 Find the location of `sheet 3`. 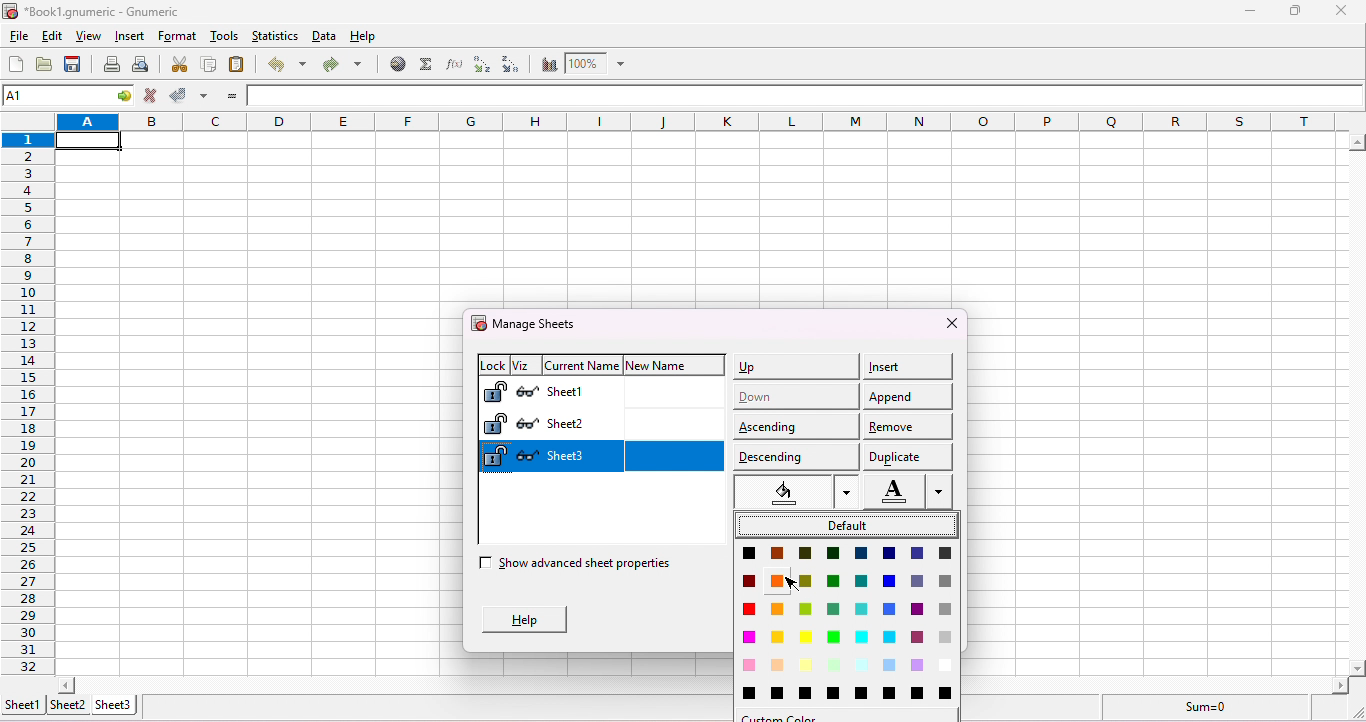

sheet 3 is located at coordinates (634, 455).